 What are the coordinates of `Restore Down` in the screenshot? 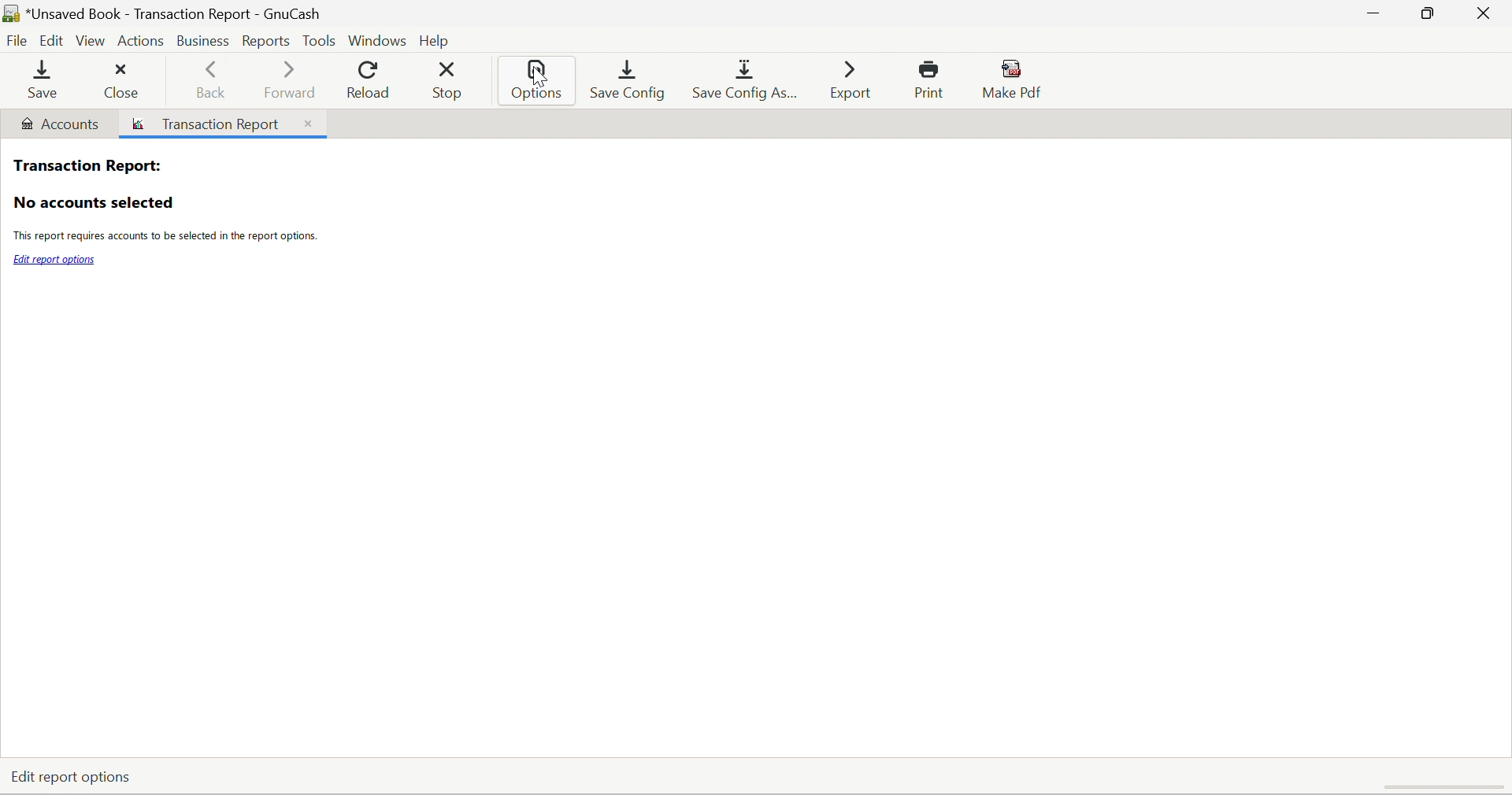 It's located at (1425, 14).